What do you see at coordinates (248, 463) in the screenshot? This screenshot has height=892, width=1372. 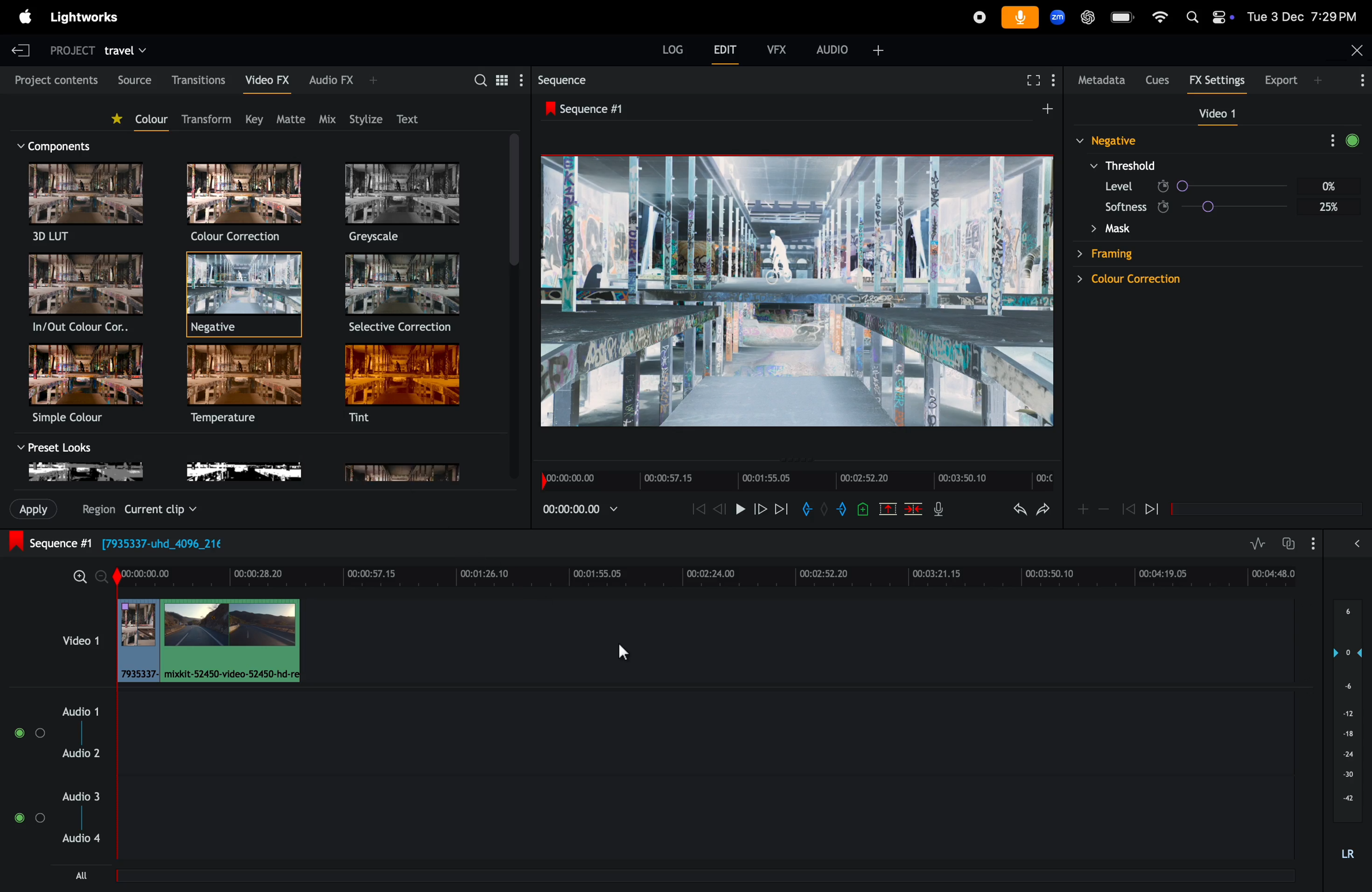 I see `no color` at bounding box center [248, 463].